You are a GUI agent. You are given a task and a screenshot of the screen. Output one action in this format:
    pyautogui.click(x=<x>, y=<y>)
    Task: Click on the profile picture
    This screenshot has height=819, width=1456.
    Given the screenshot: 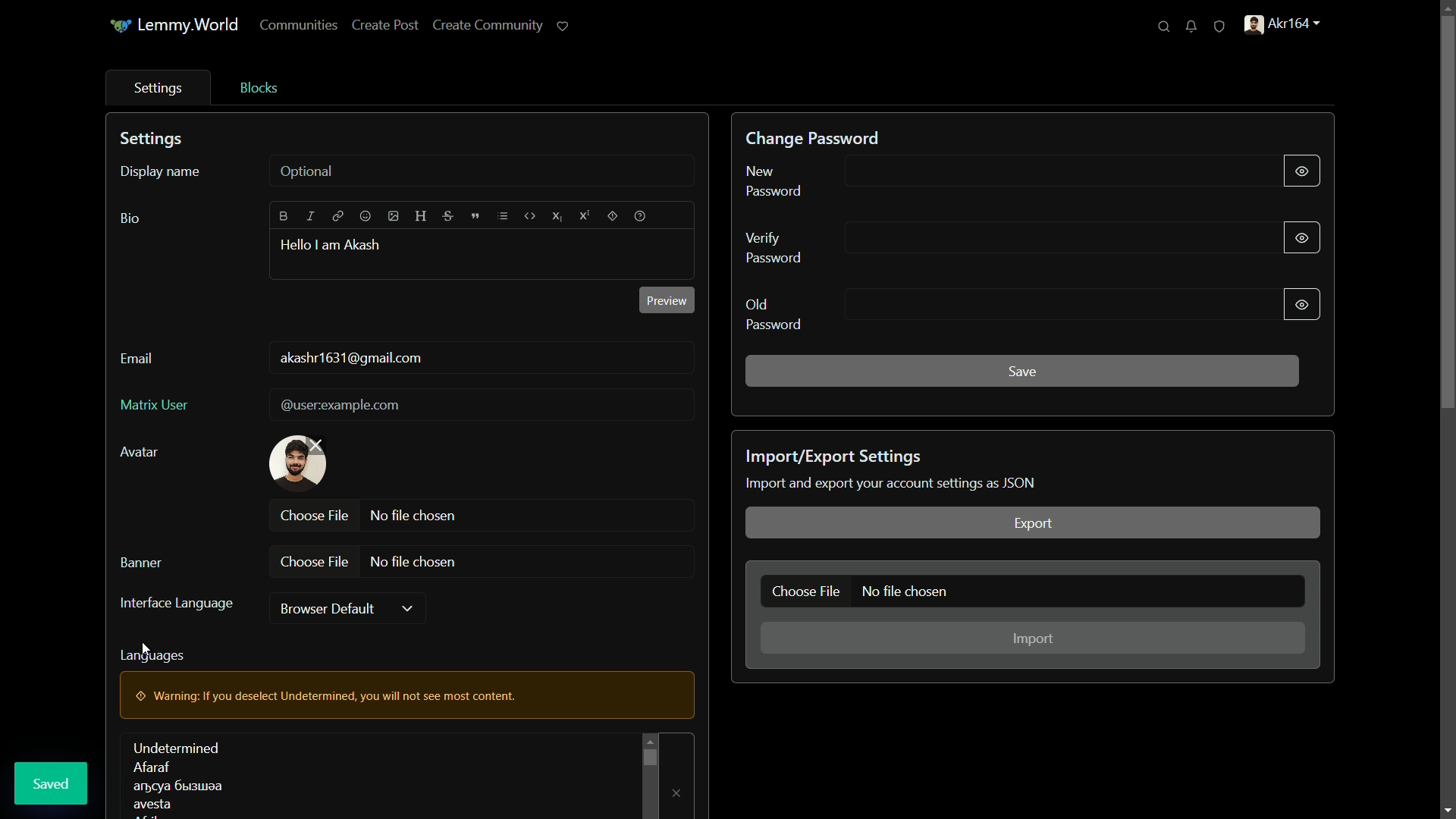 What is the action you would take?
    pyautogui.click(x=300, y=463)
    